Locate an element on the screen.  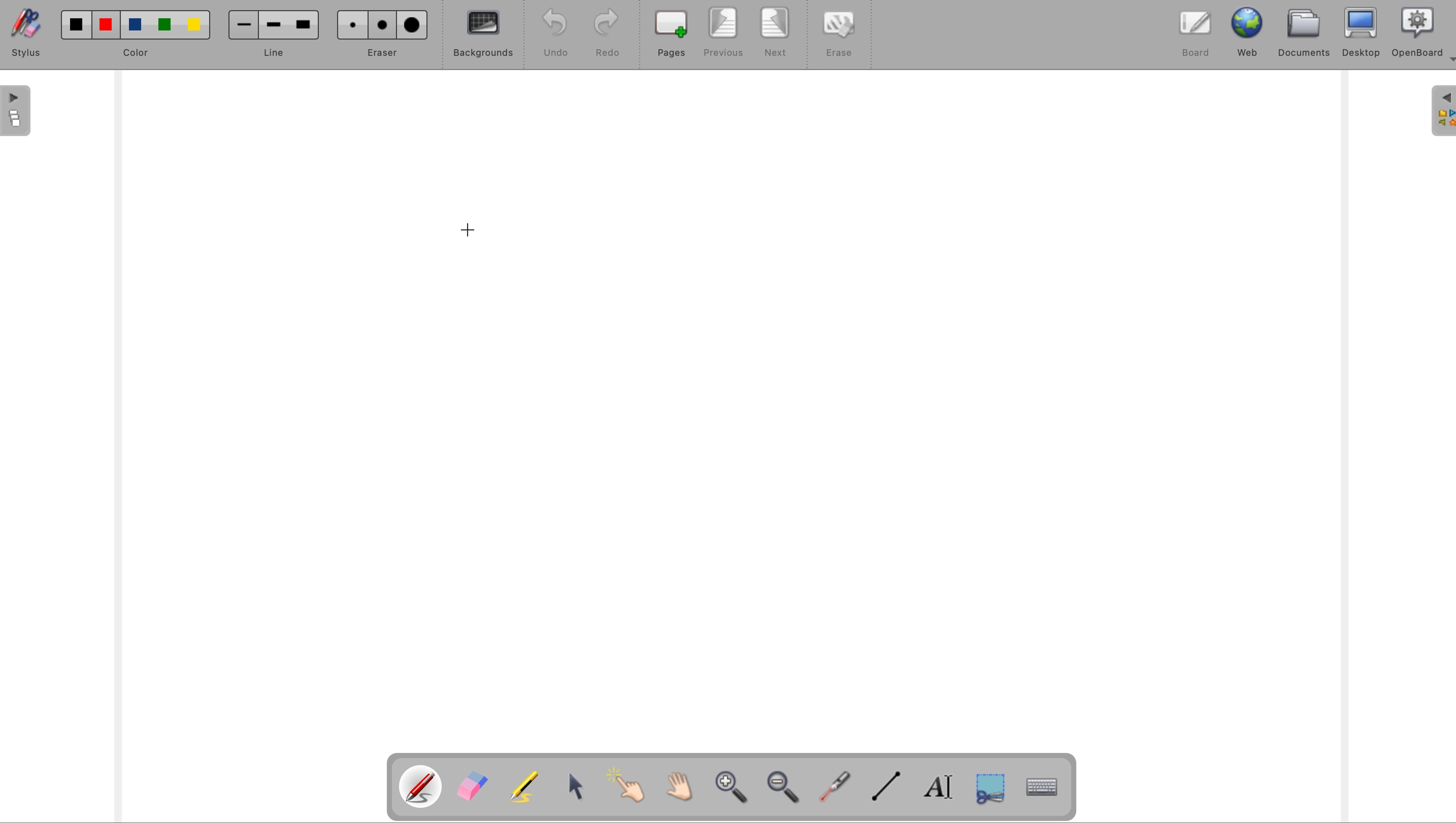
pen is located at coordinates (421, 787).